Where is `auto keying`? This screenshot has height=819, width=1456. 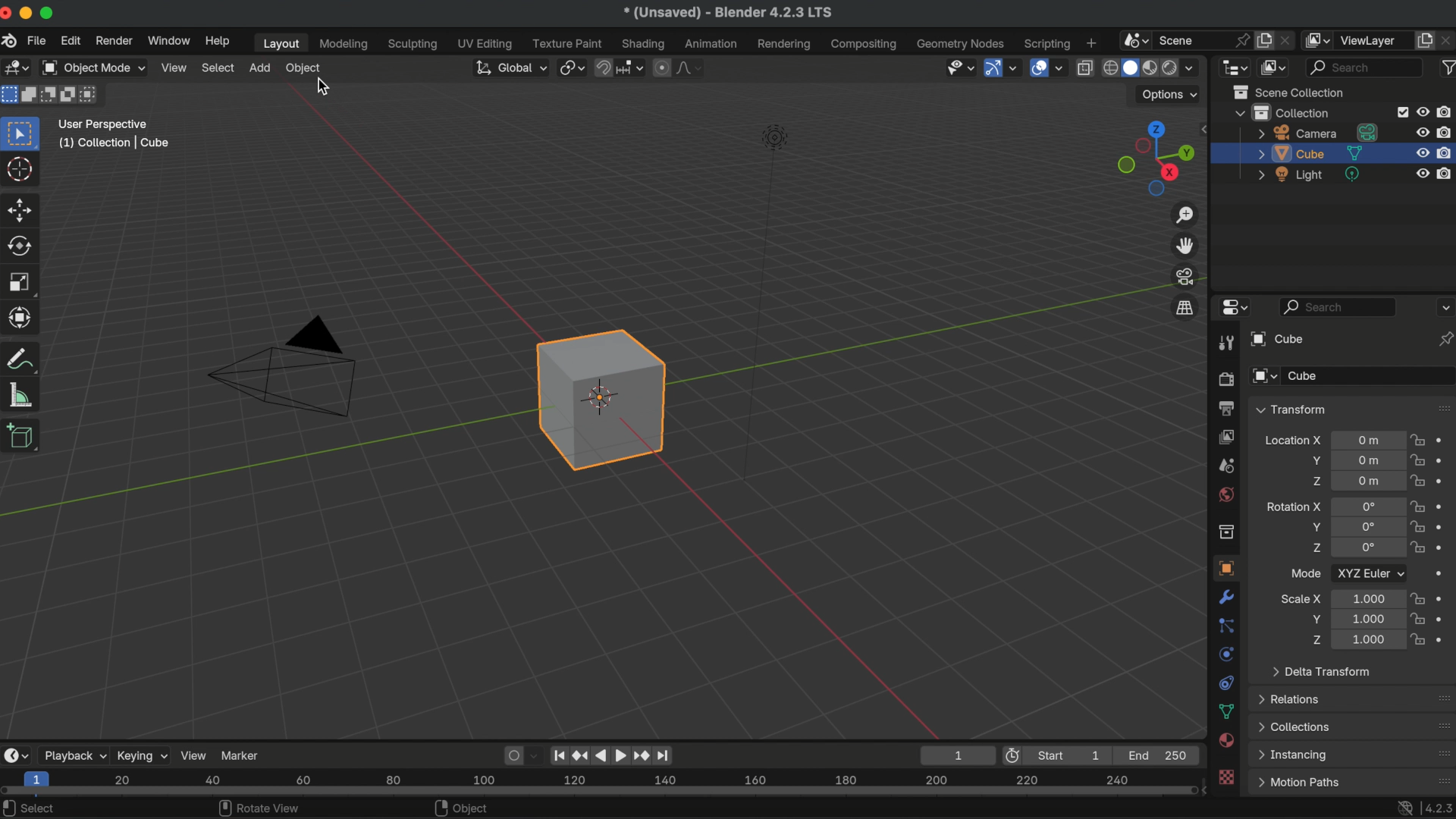
auto keying is located at coordinates (511, 754).